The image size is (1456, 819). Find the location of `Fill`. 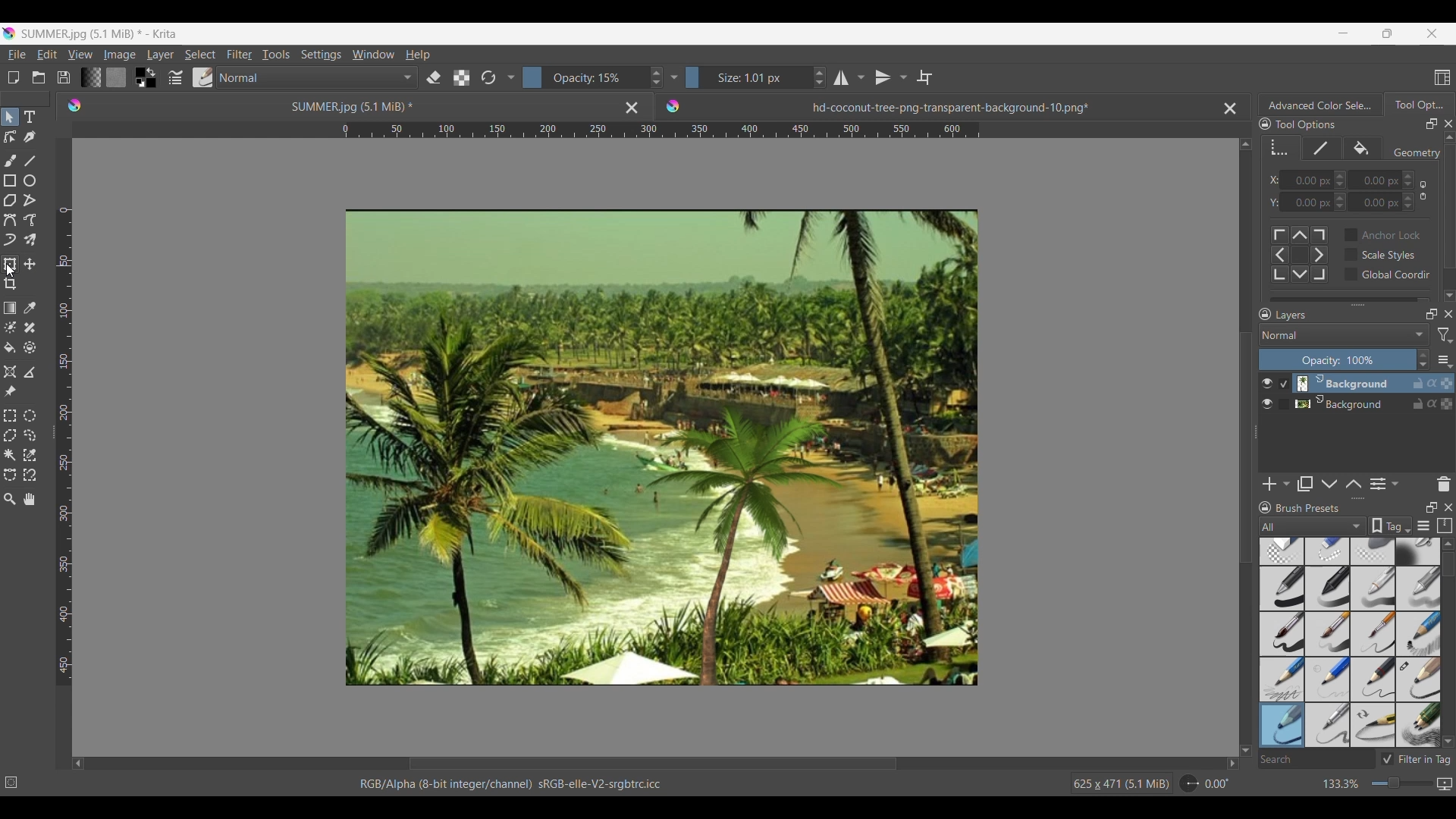

Fill is located at coordinates (10, 347).